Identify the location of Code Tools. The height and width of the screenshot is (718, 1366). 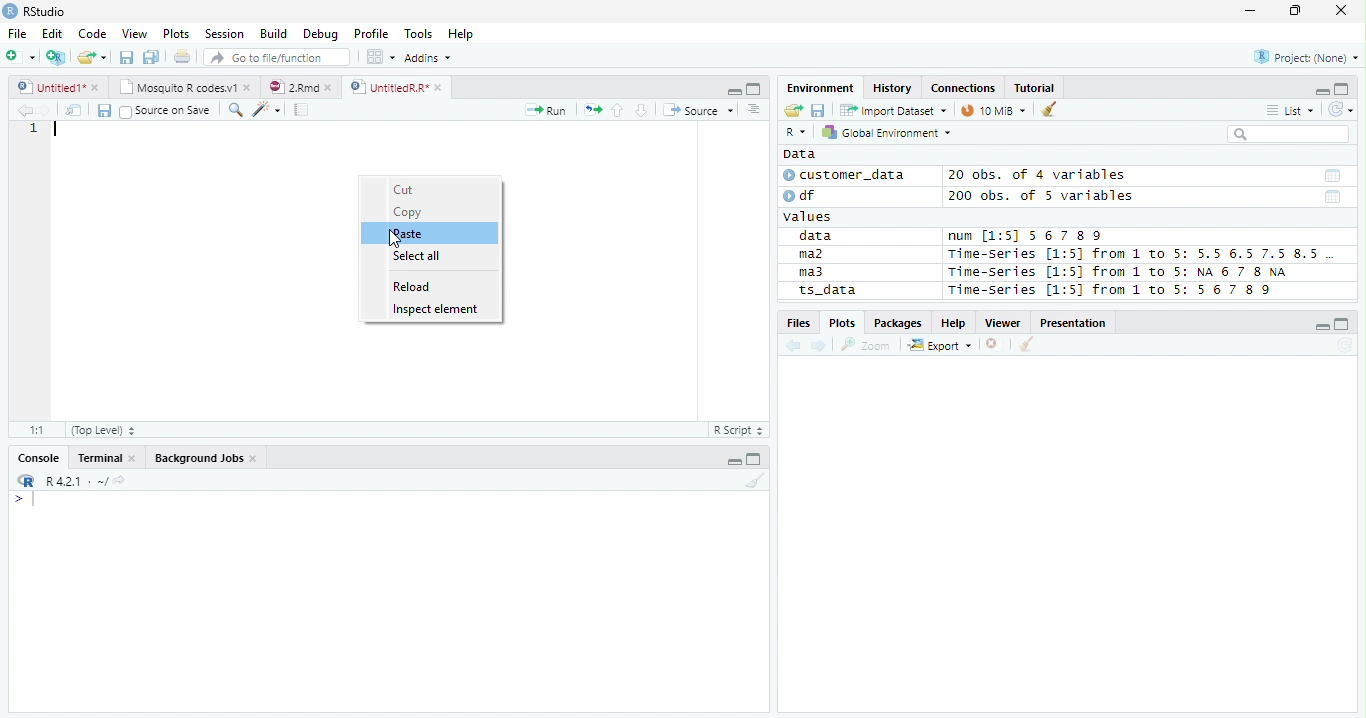
(266, 110).